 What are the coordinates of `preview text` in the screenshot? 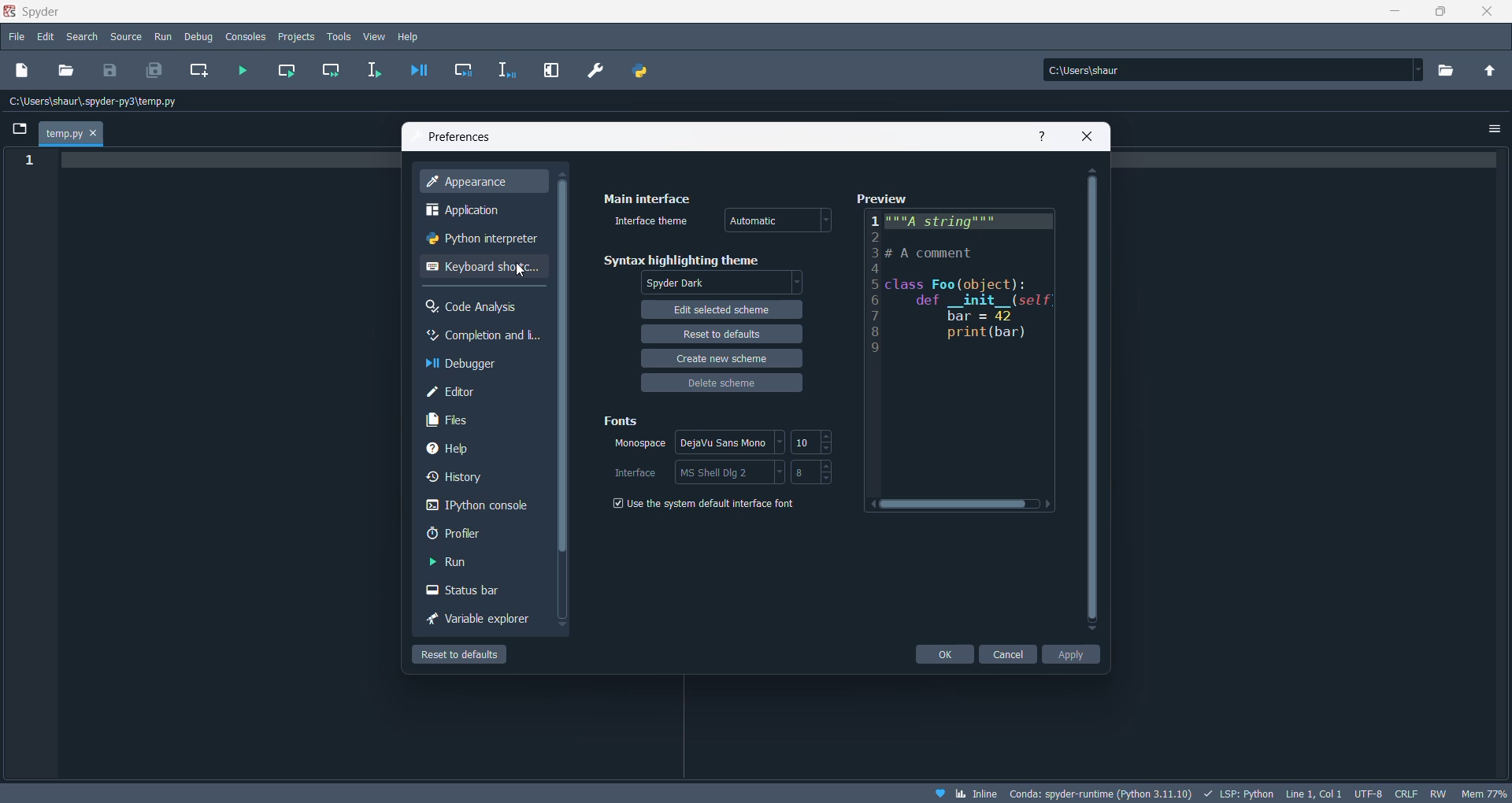 It's located at (880, 196).